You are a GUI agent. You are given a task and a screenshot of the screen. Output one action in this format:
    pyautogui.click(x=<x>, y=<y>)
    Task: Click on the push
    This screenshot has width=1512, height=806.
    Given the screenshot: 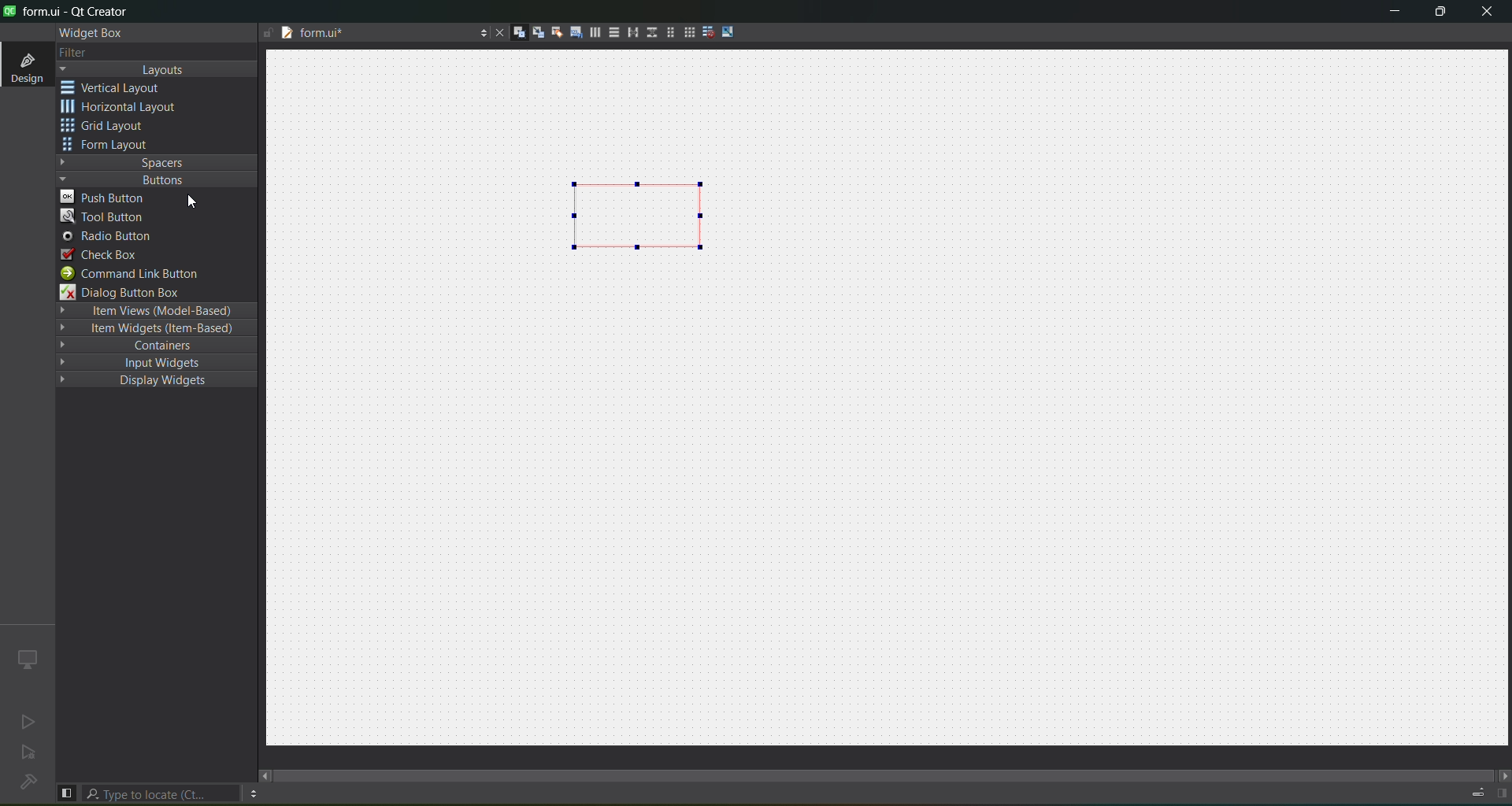 What is the action you would take?
    pyautogui.click(x=108, y=197)
    